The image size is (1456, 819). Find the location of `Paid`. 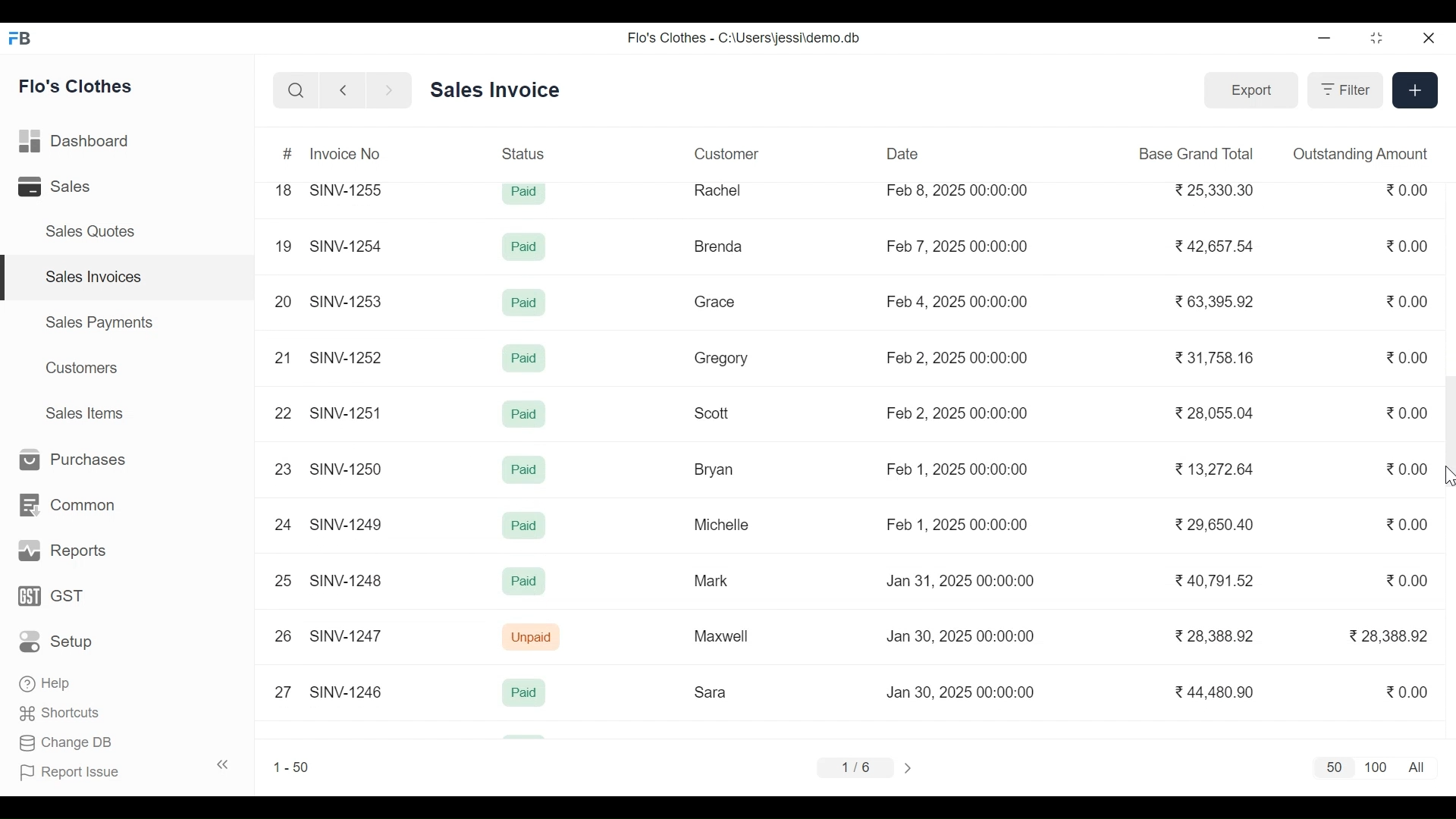

Paid is located at coordinates (525, 526).